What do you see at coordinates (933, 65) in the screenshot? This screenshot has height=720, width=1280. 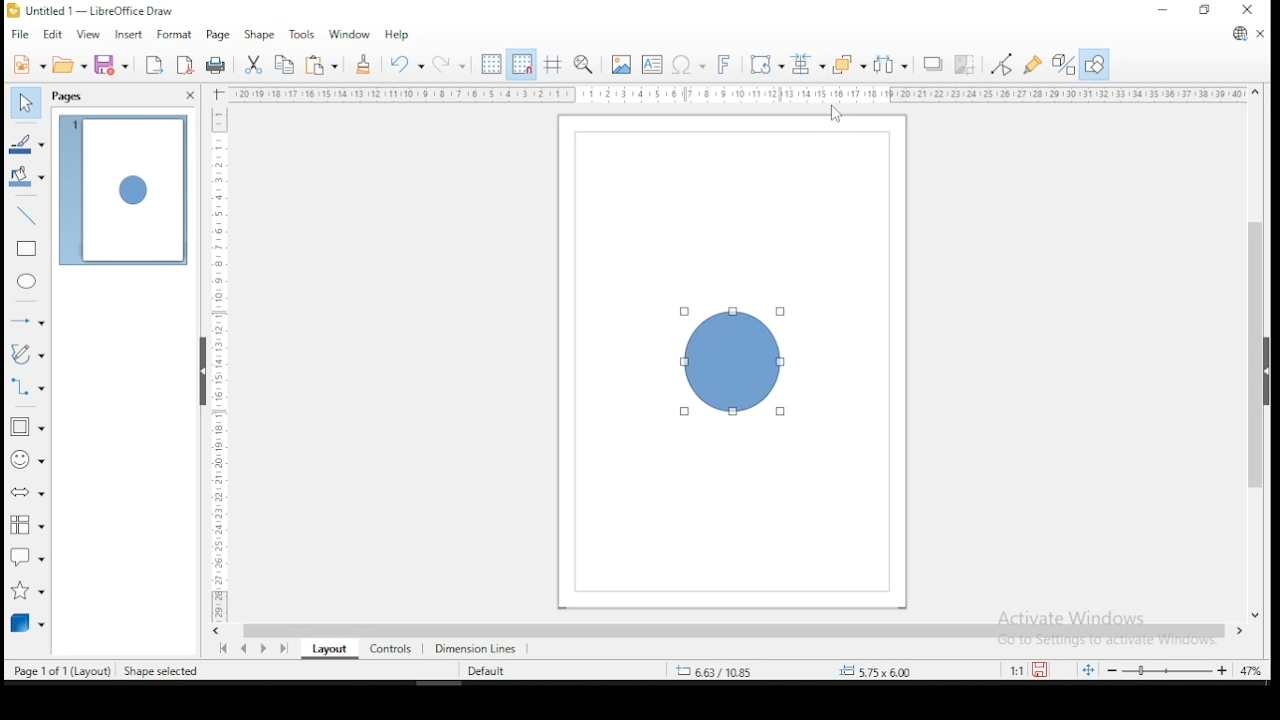 I see `shadow` at bounding box center [933, 65].